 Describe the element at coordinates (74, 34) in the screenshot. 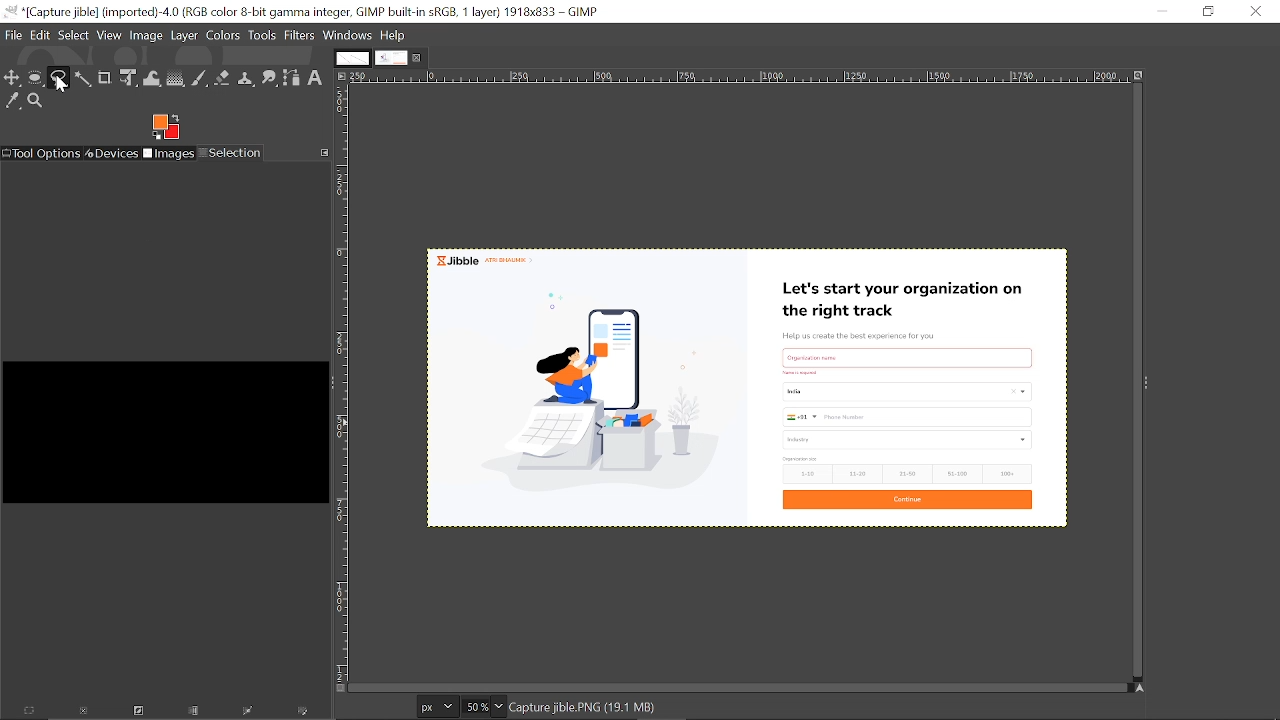

I see `Select` at that location.